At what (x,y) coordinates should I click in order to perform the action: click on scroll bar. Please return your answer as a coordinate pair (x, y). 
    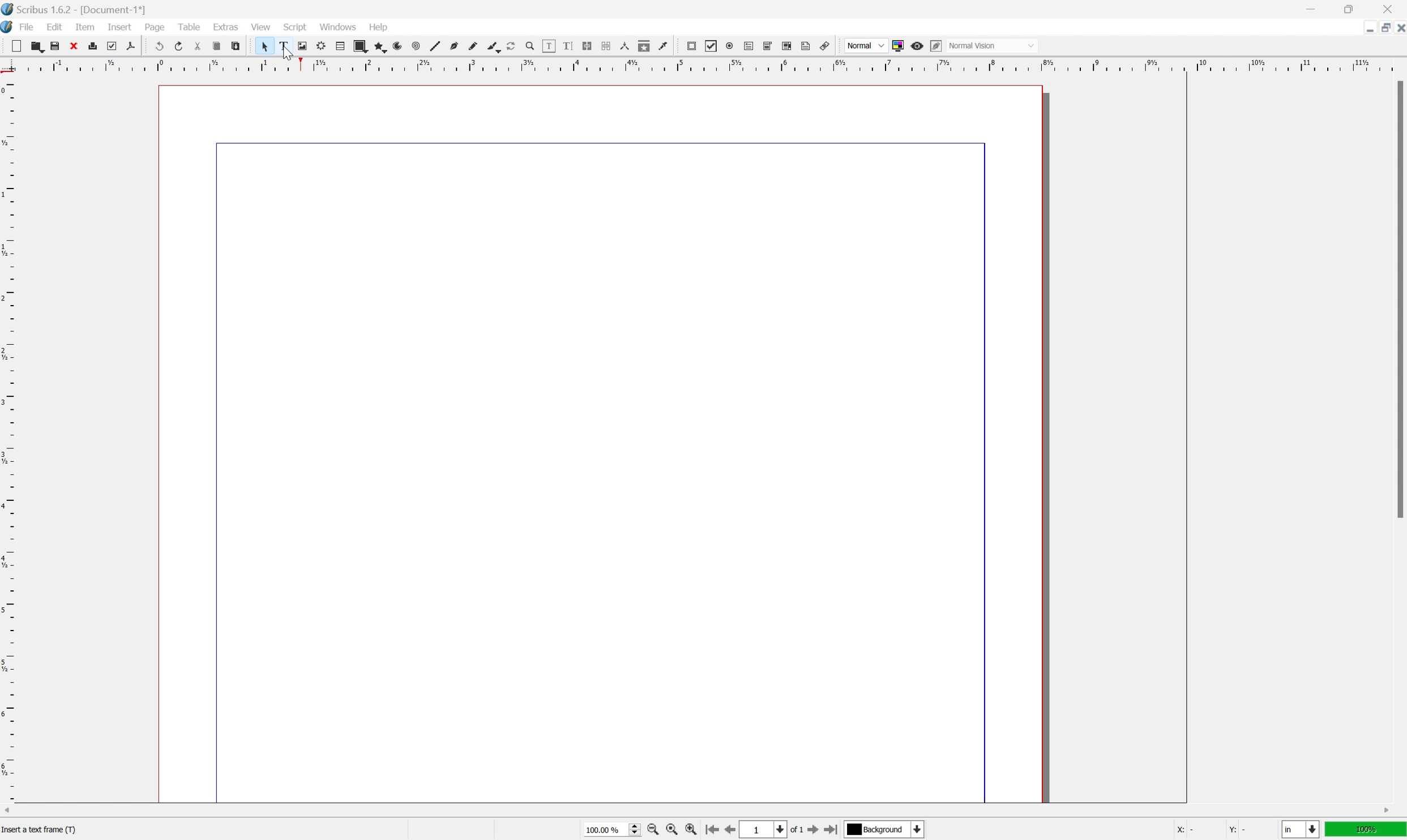
    Looking at the image, I should click on (1398, 299).